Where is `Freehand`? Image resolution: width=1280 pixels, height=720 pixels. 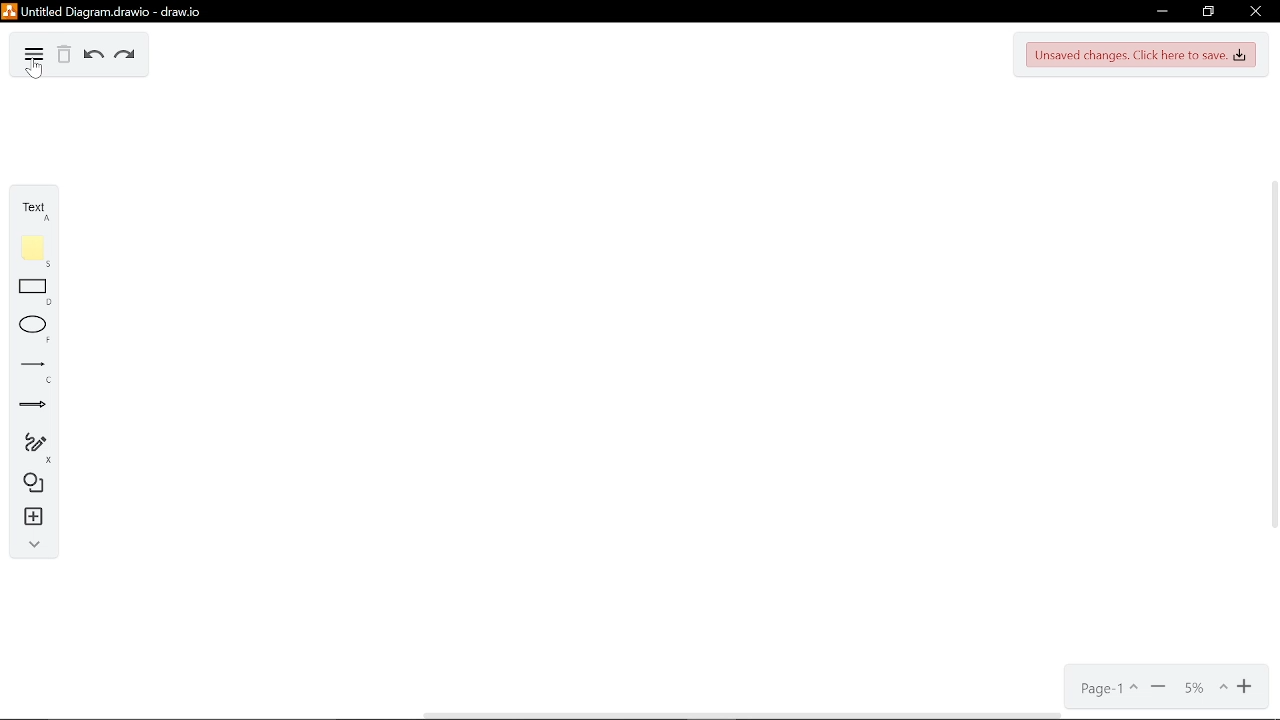 Freehand is located at coordinates (28, 446).